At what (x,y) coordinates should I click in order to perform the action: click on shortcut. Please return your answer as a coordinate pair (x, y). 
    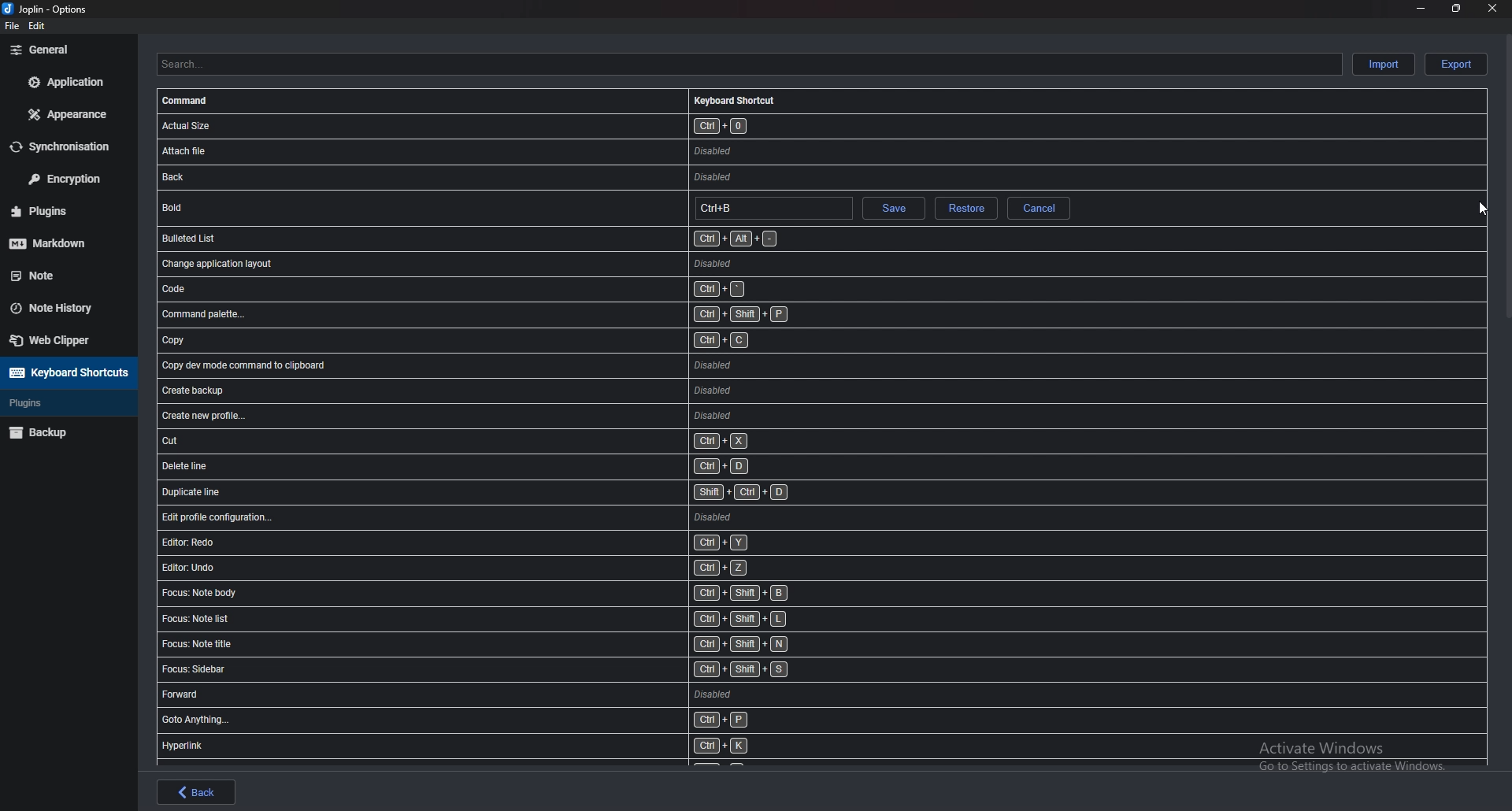
    Looking at the image, I should click on (521, 696).